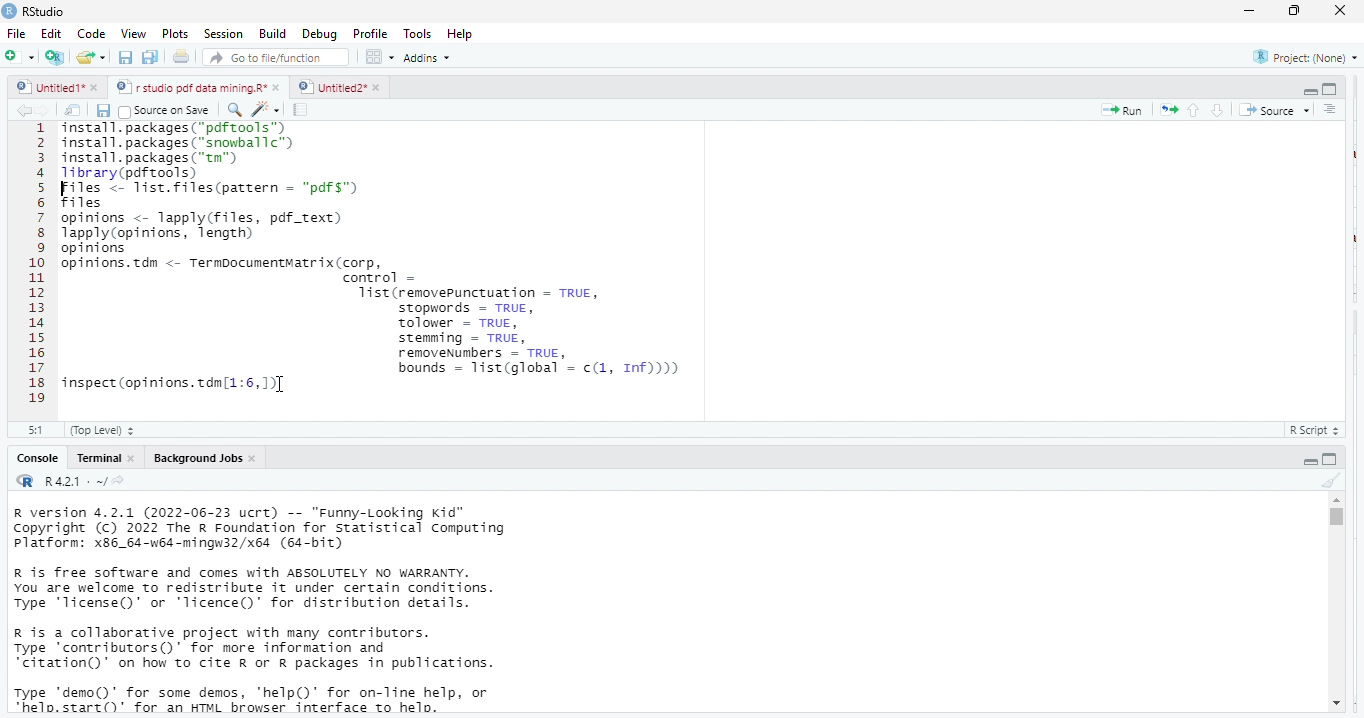  I want to click on untitled 2, so click(330, 86).